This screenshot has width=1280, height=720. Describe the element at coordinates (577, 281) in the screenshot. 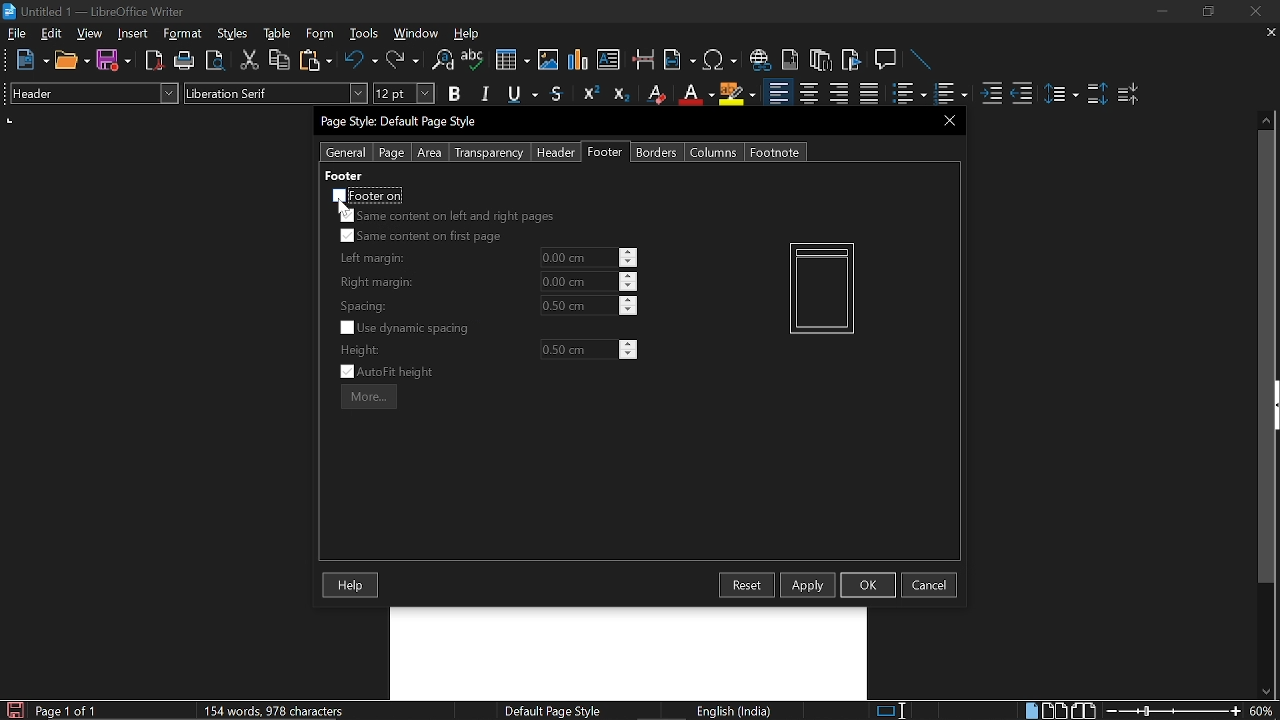

I see `current right margin` at that location.